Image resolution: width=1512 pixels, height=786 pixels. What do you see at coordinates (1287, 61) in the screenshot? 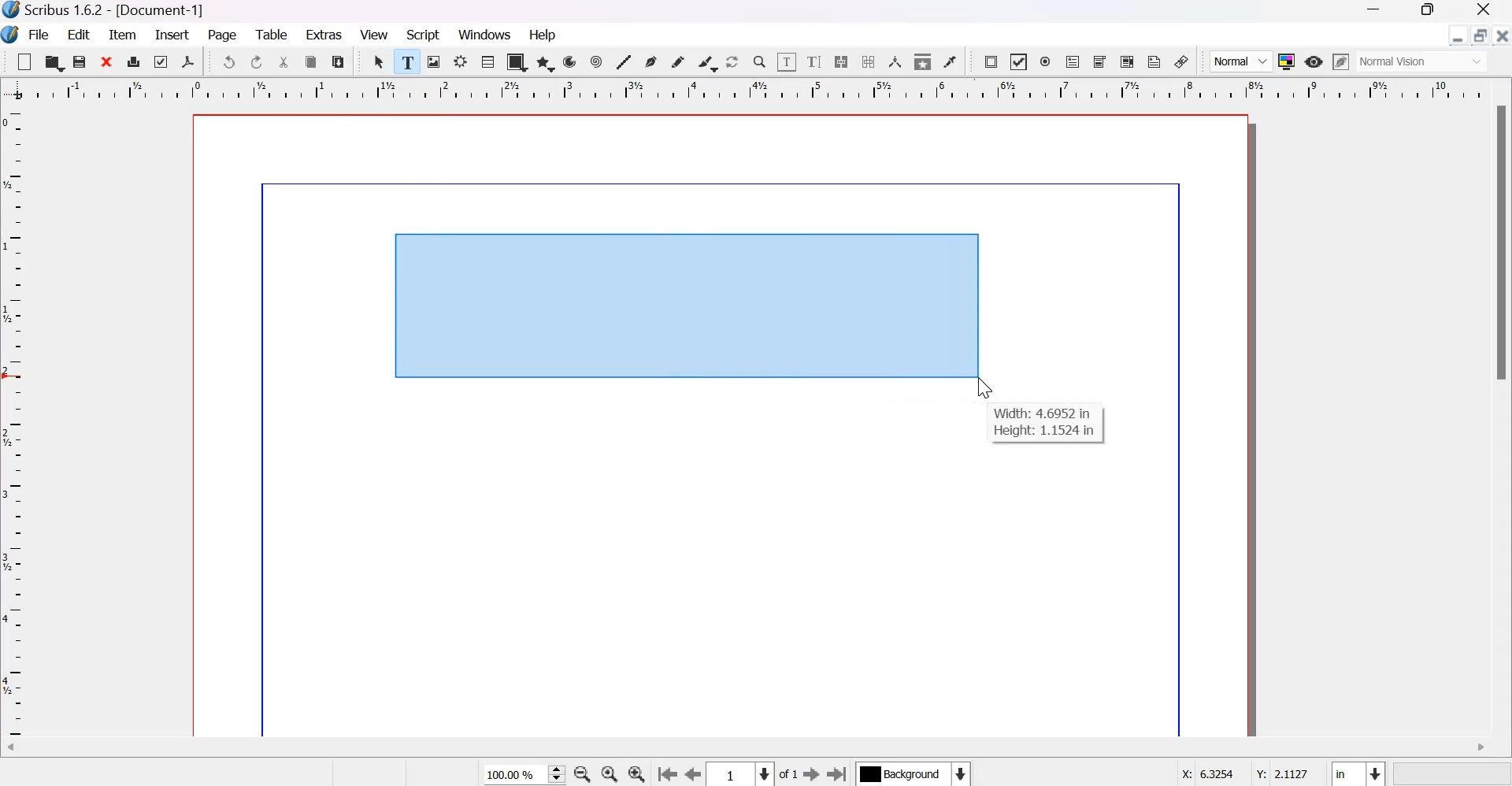
I see `Toggle Color Management System` at bounding box center [1287, 61].